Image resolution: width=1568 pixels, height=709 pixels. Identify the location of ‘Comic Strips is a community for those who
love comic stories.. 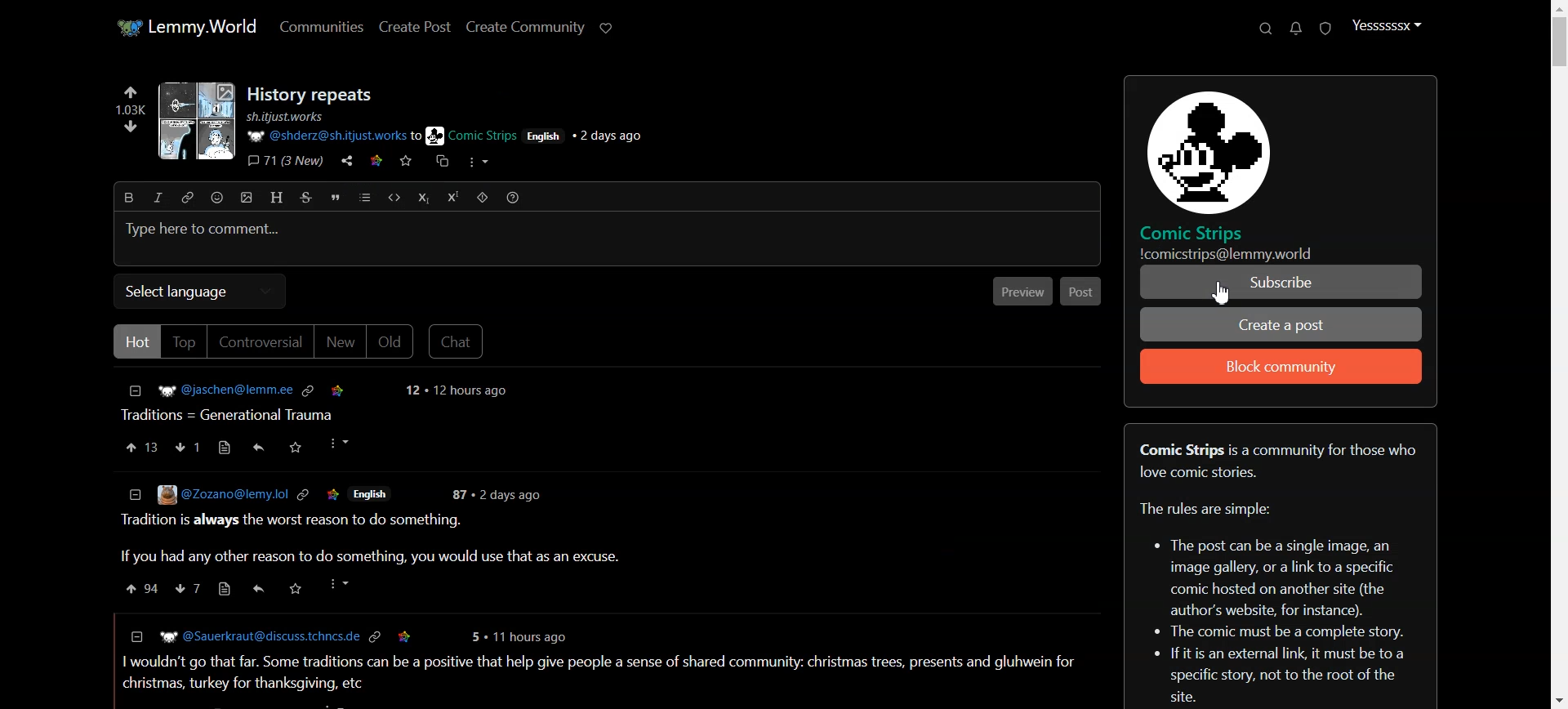
(1282, 461).